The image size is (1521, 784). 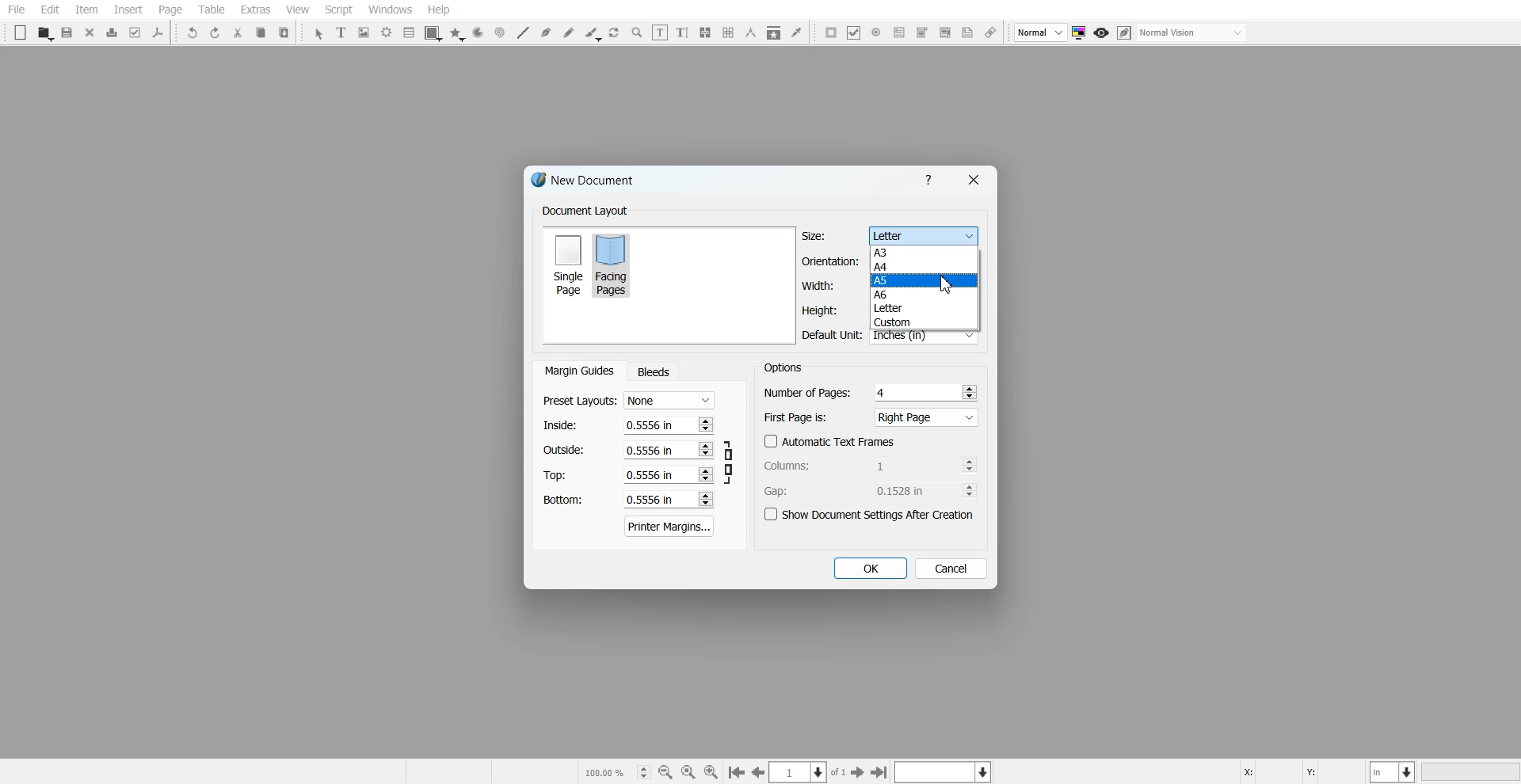 What do you see at coordinates (670, 526) in the screenshot?
I see `Printer Margins` at bounding box center [670, 526].